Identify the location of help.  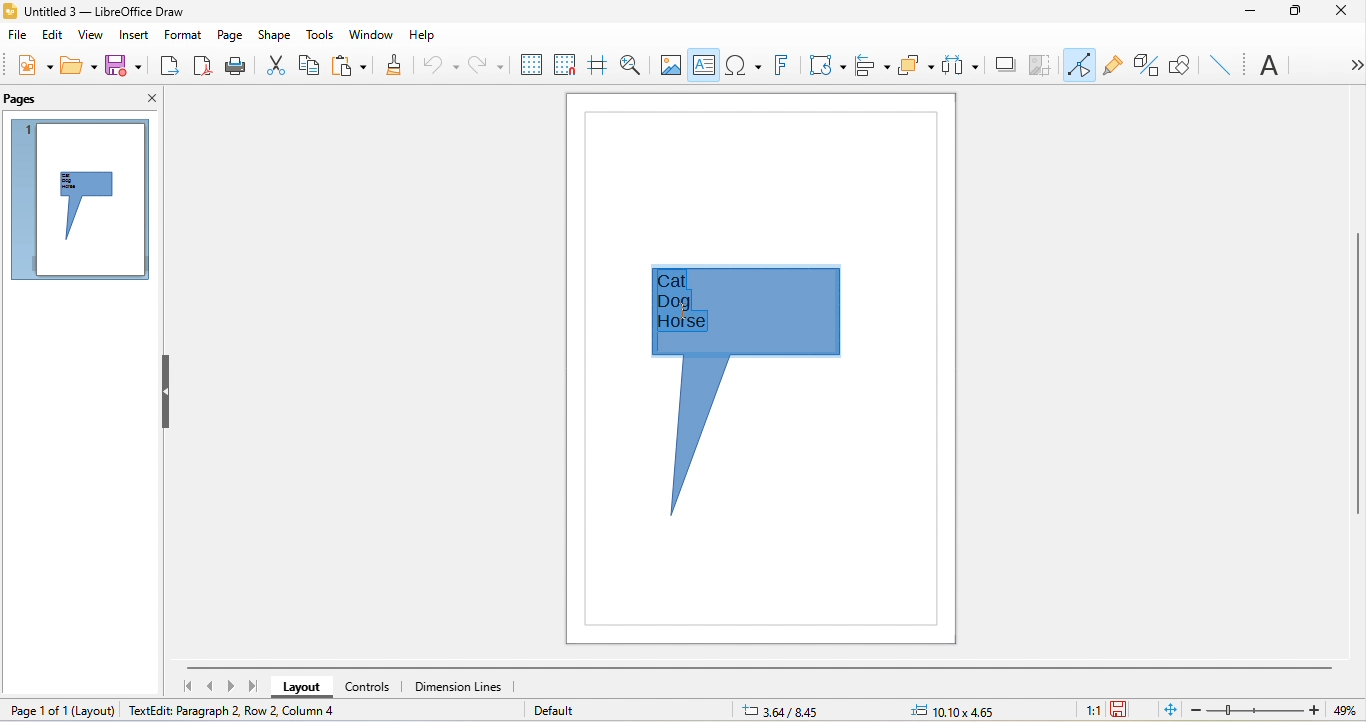
(422, 33).